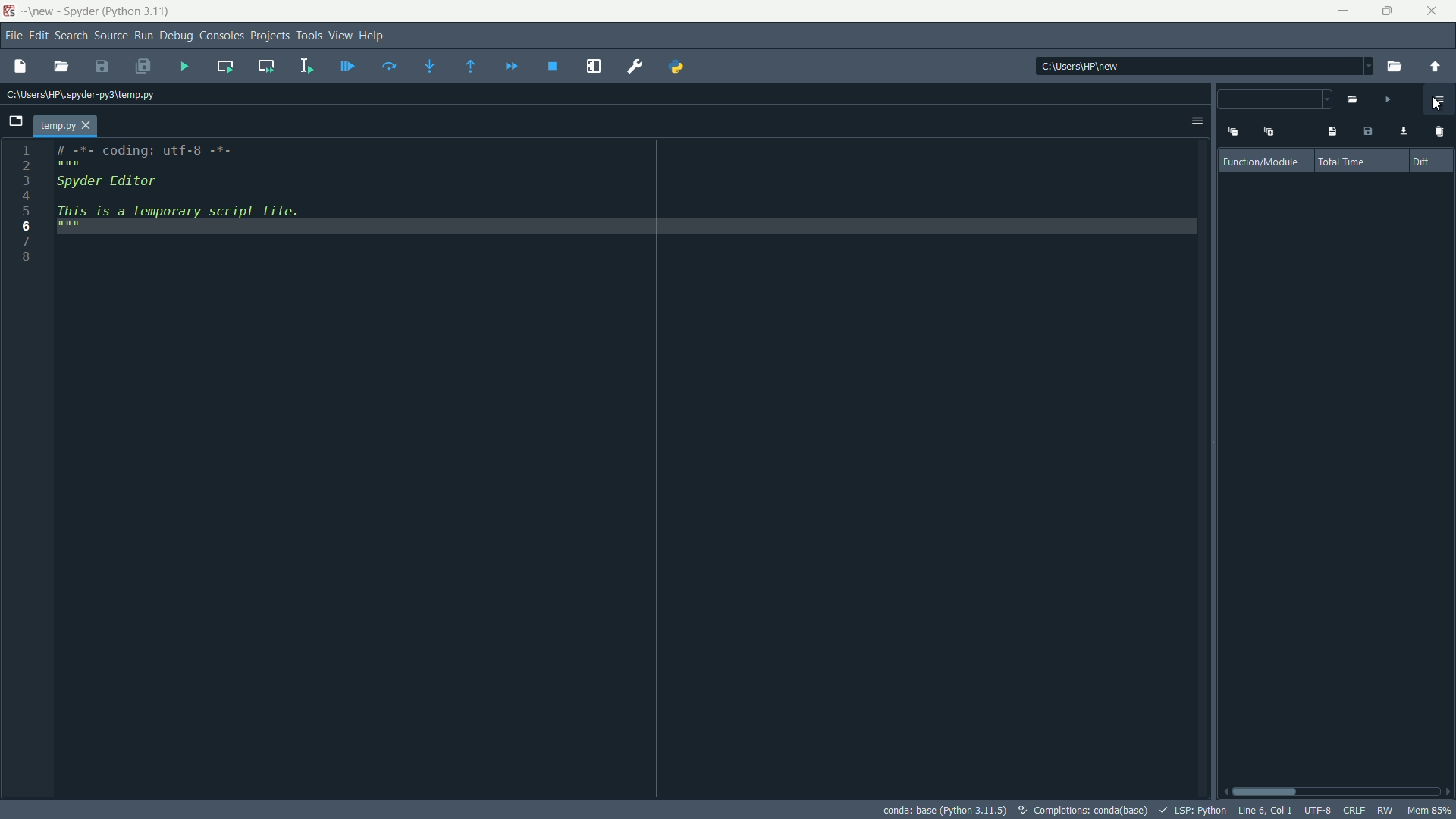 The image size is (1456, 819). What do you see at coordinates (1264, 162) in the screenshot?
I see `function/module` at bounding box center [1264, 162].